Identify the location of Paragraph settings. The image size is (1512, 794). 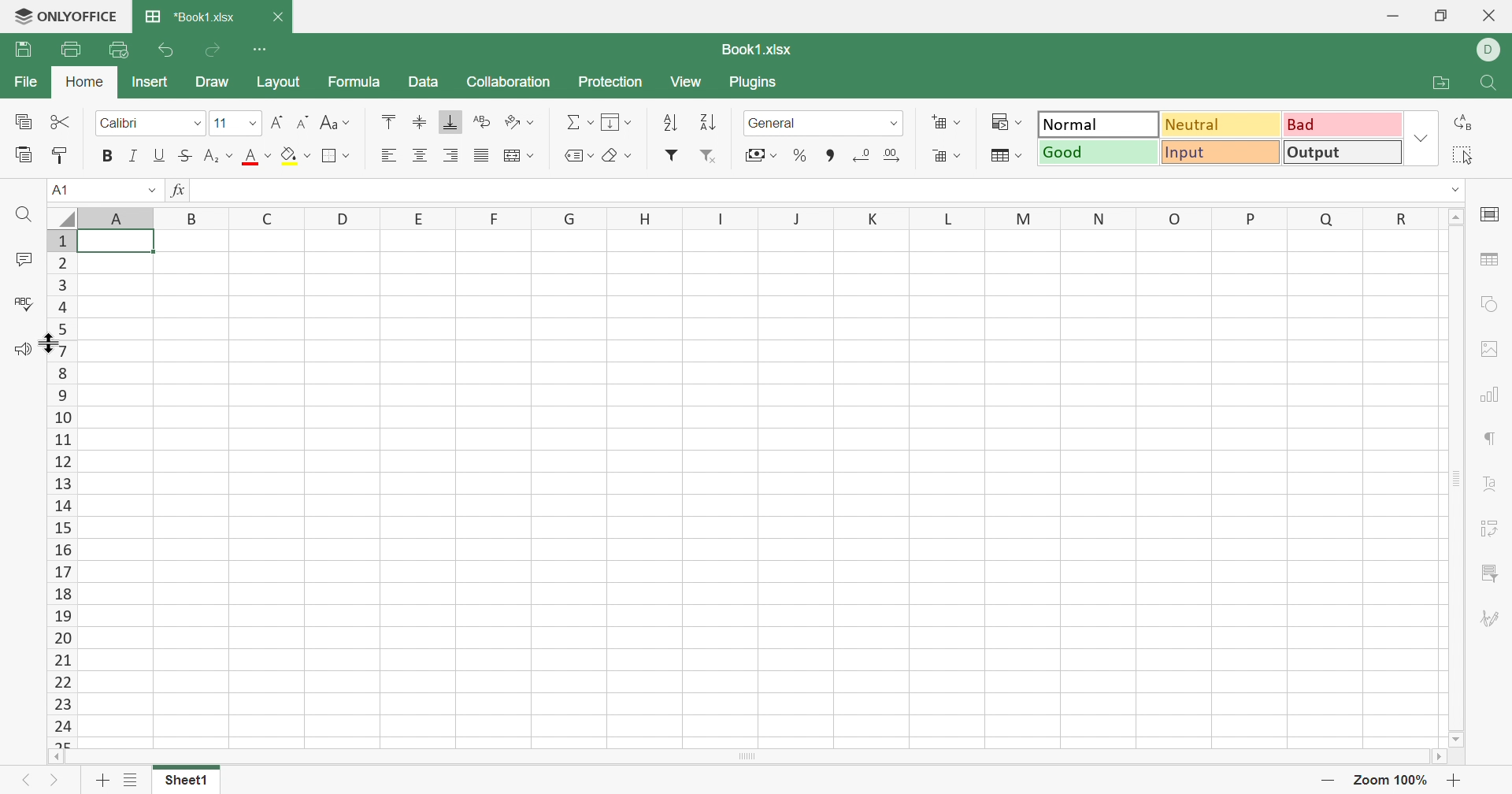
(1489, 440).